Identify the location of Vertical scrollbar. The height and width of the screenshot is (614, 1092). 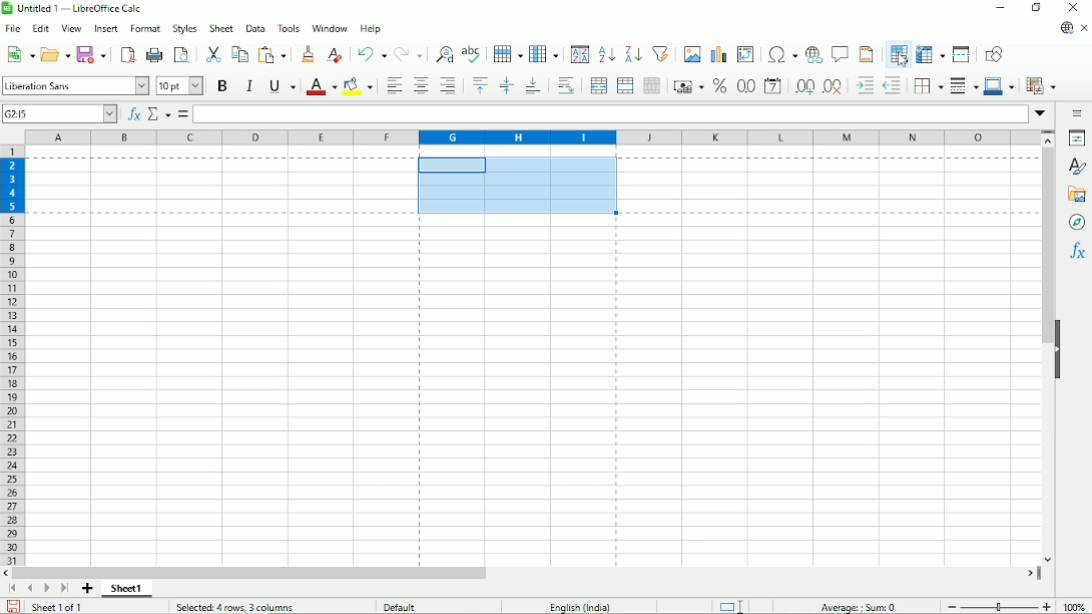
(1043, 248).